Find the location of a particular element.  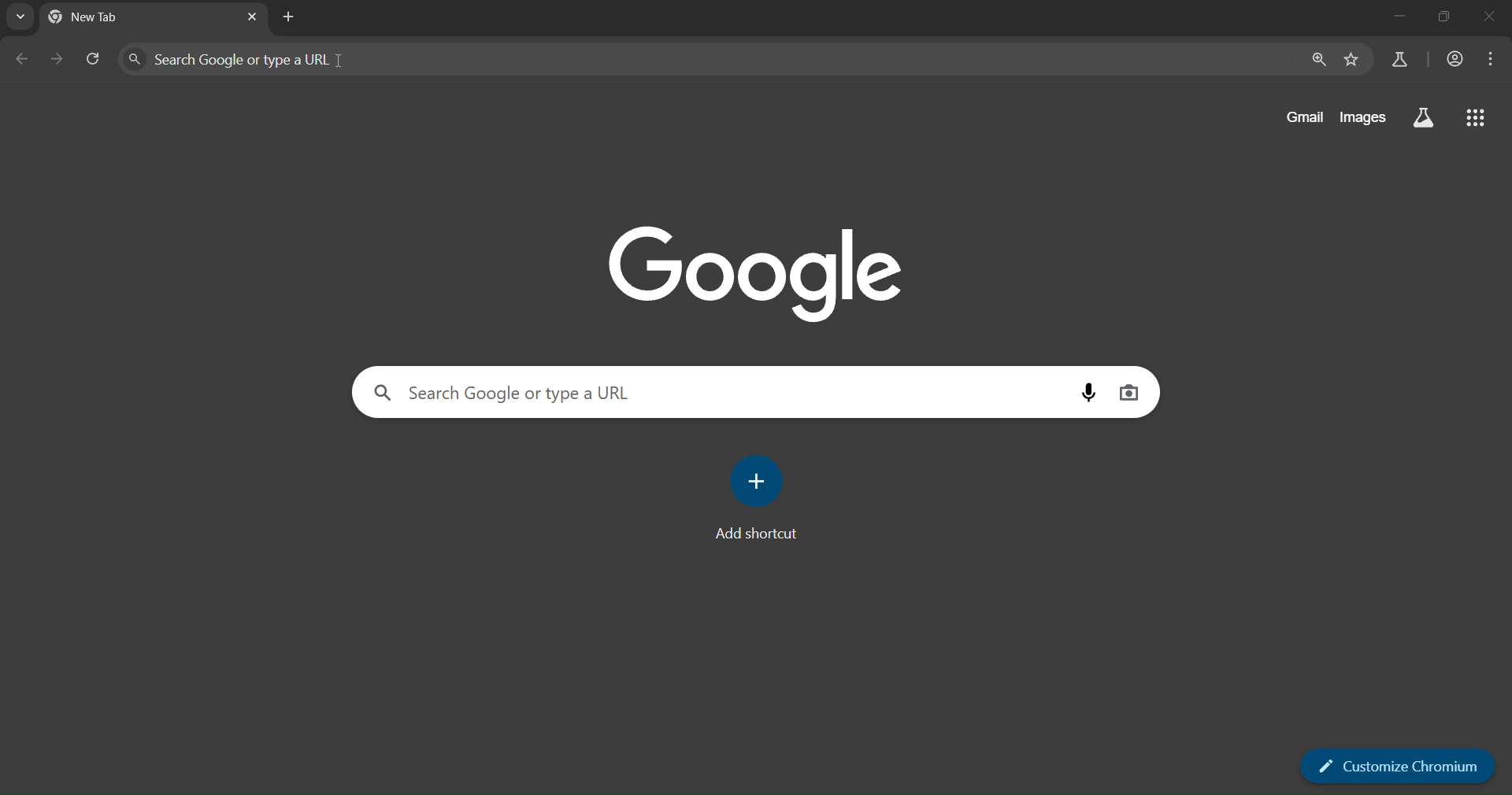

google  is located at coordinates (755, 270).